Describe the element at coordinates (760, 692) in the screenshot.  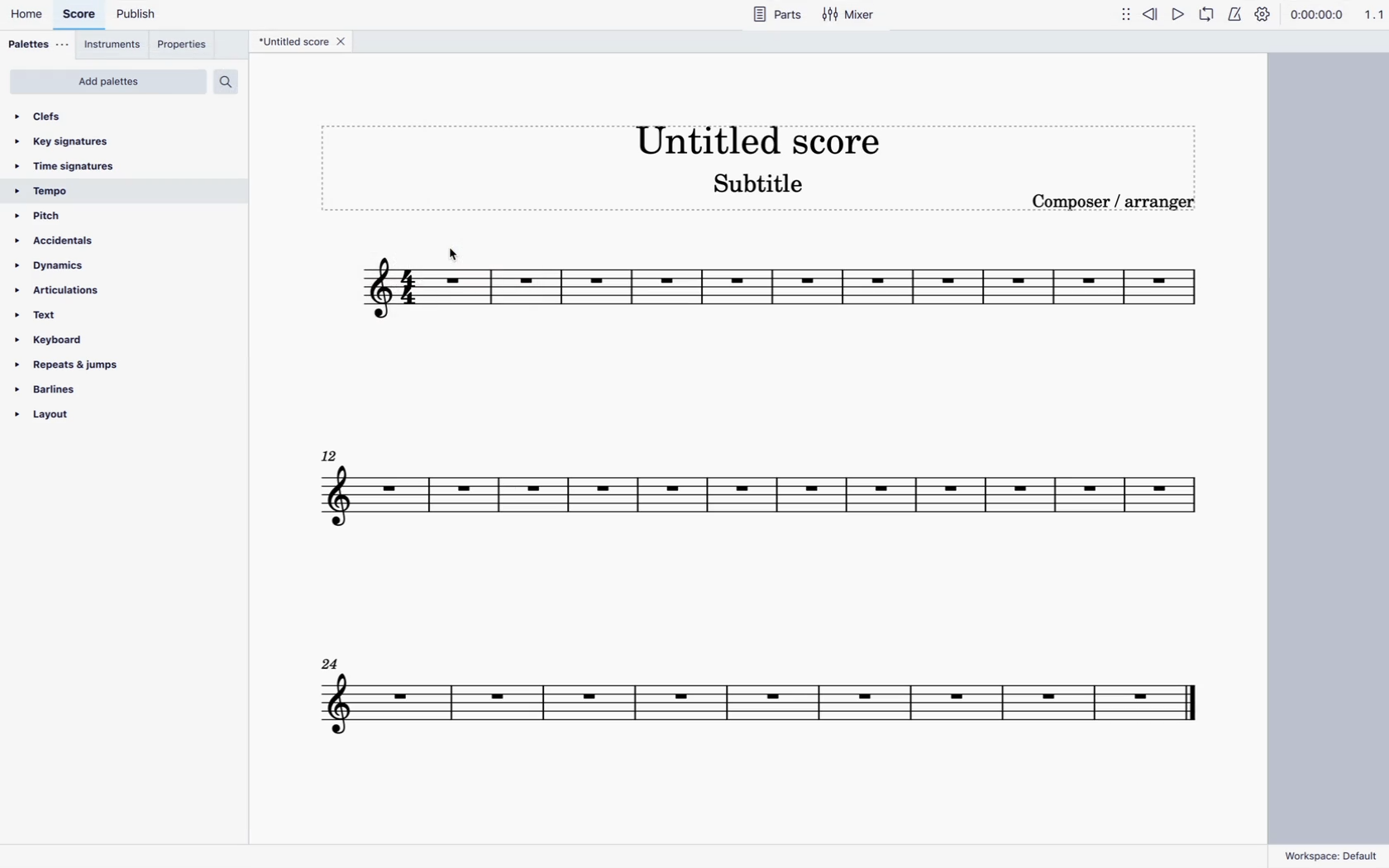
I see `score` at that location.